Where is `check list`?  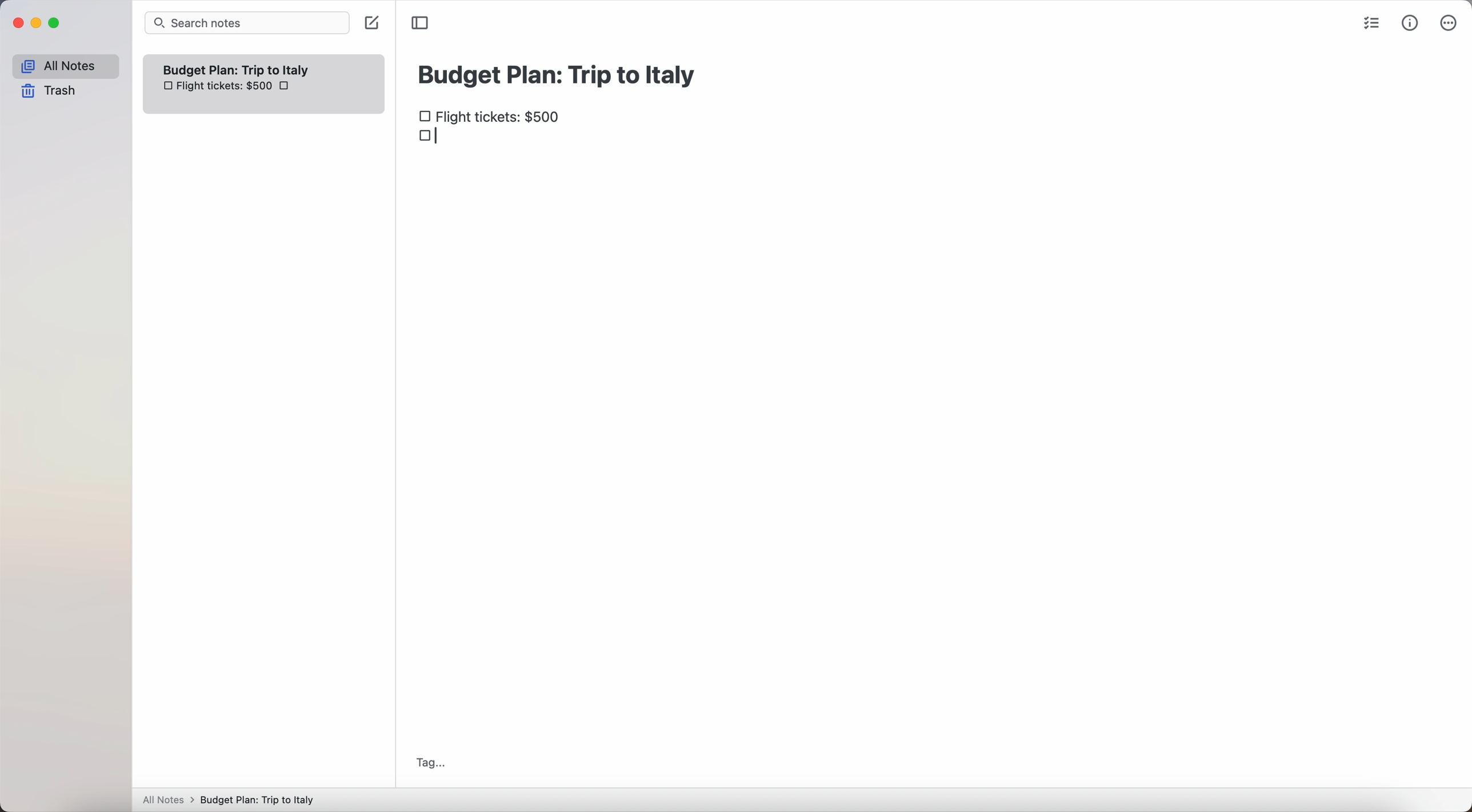 check list is located at coordinates (1375, 25).